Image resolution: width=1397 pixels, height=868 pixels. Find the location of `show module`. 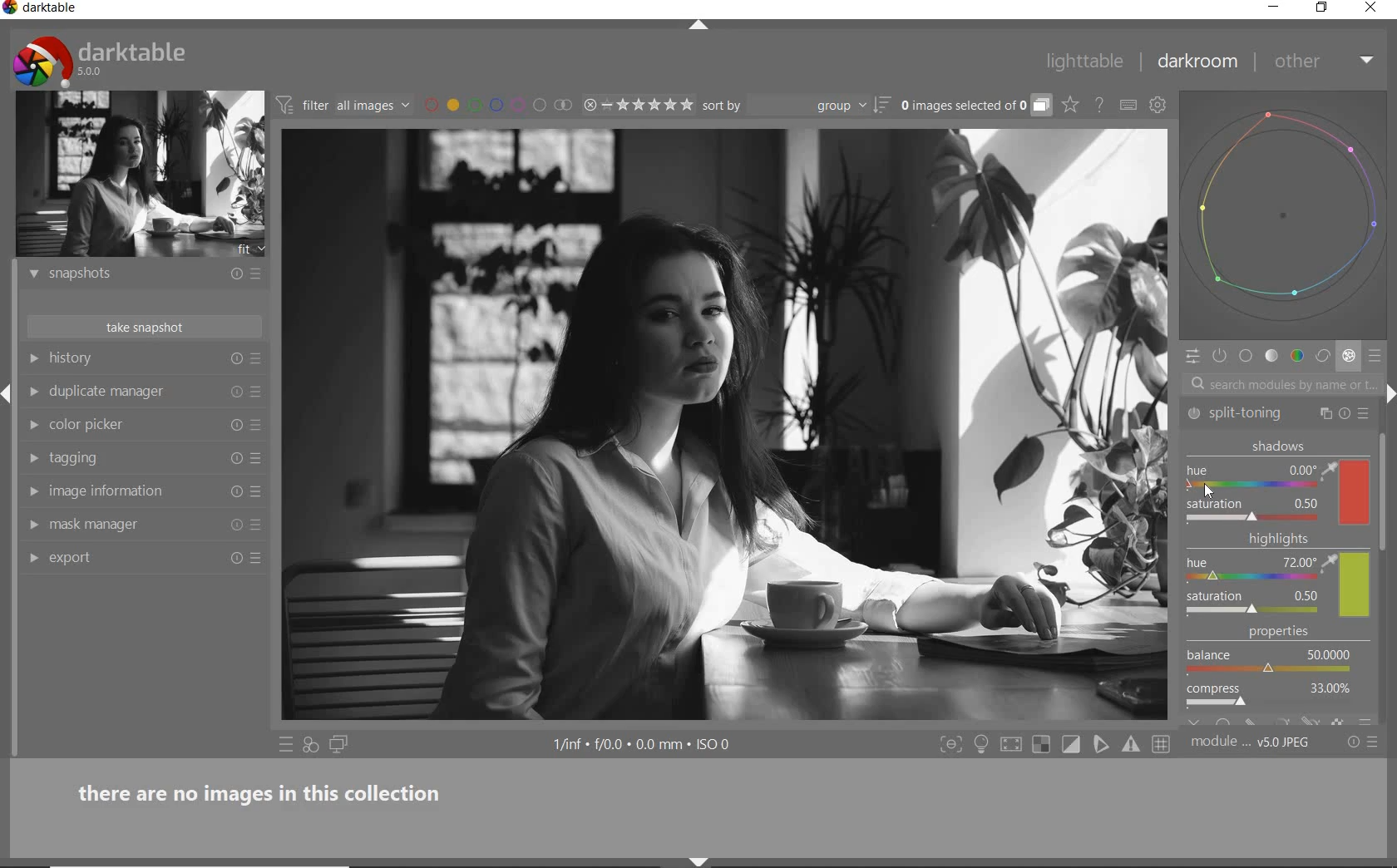

show module is located at coordinates (32, 358).